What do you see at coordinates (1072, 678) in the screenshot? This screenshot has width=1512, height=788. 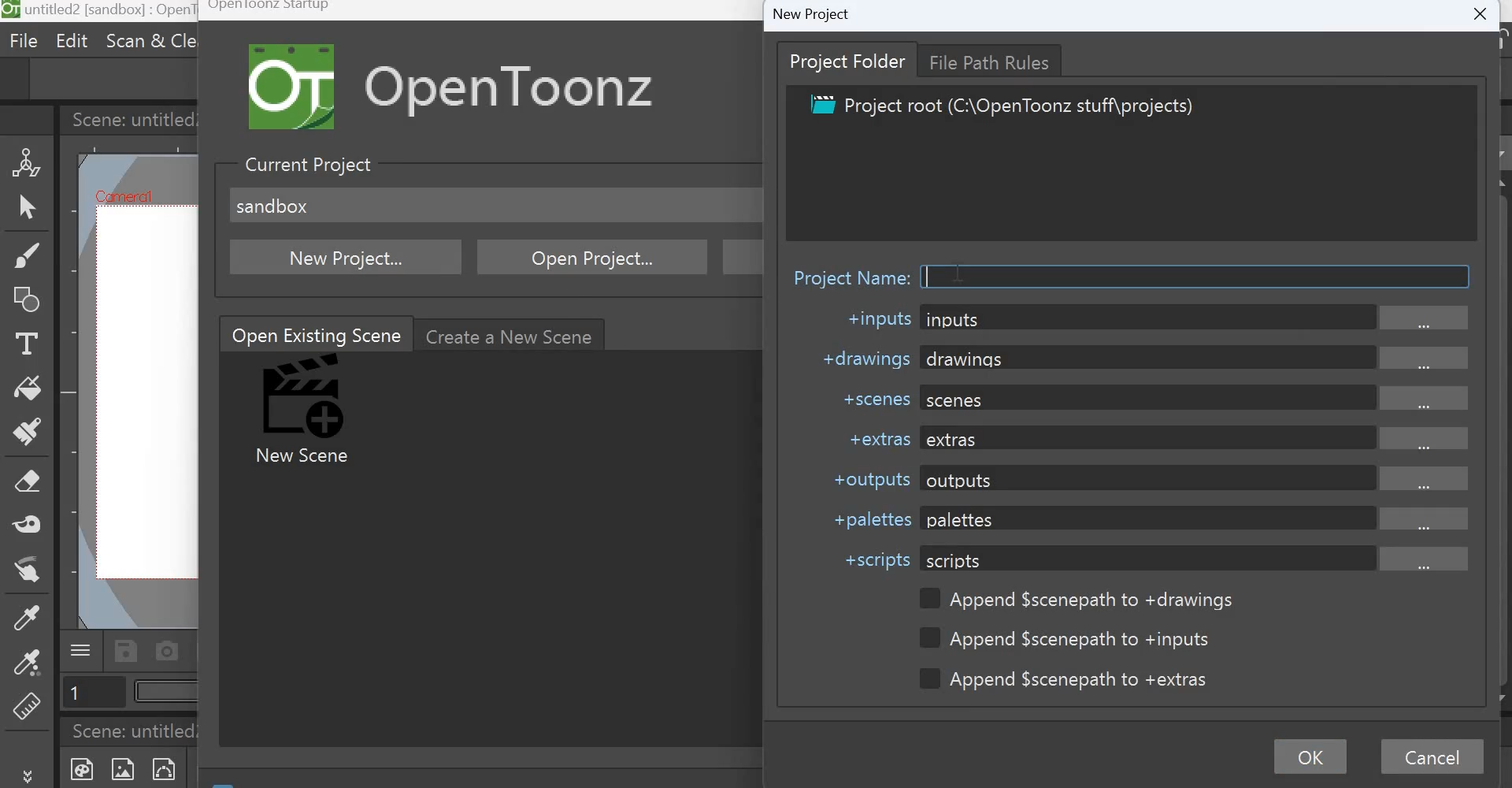 I see `Append $scenepath to +extras` at bounding box center [1072, 678].